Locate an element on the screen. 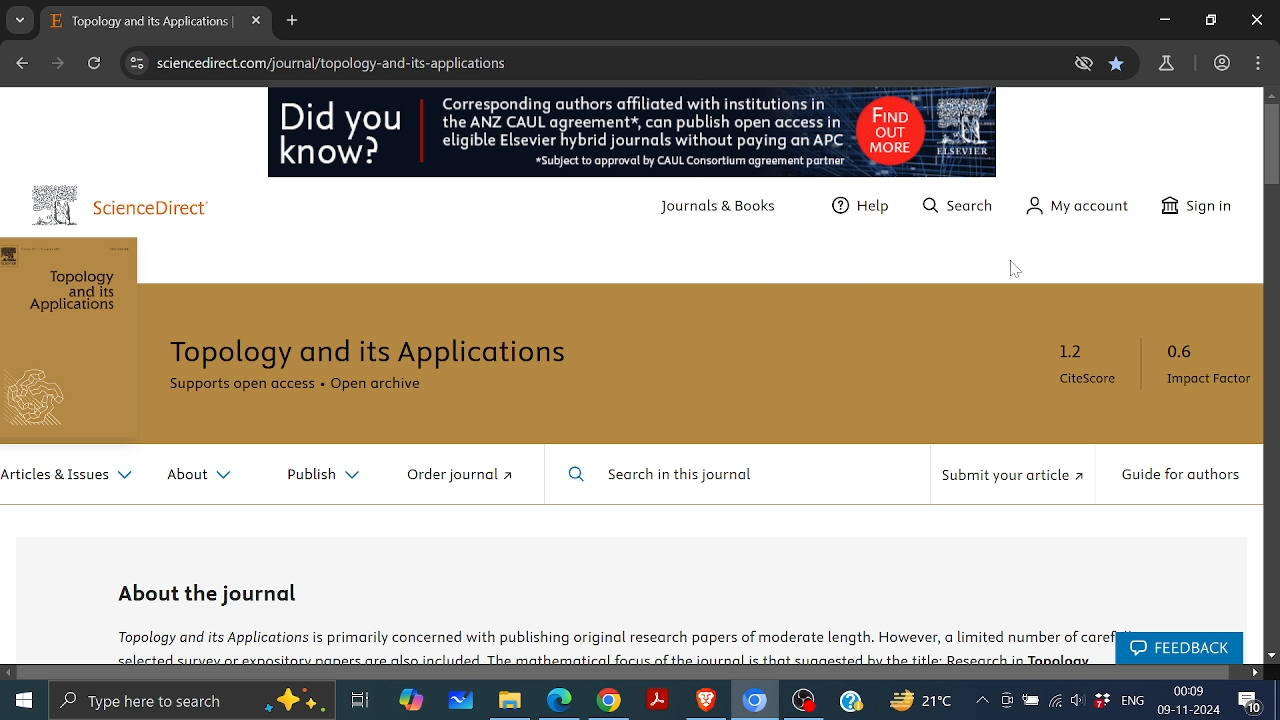  Adobe reader is located at coordinates (658, 700).